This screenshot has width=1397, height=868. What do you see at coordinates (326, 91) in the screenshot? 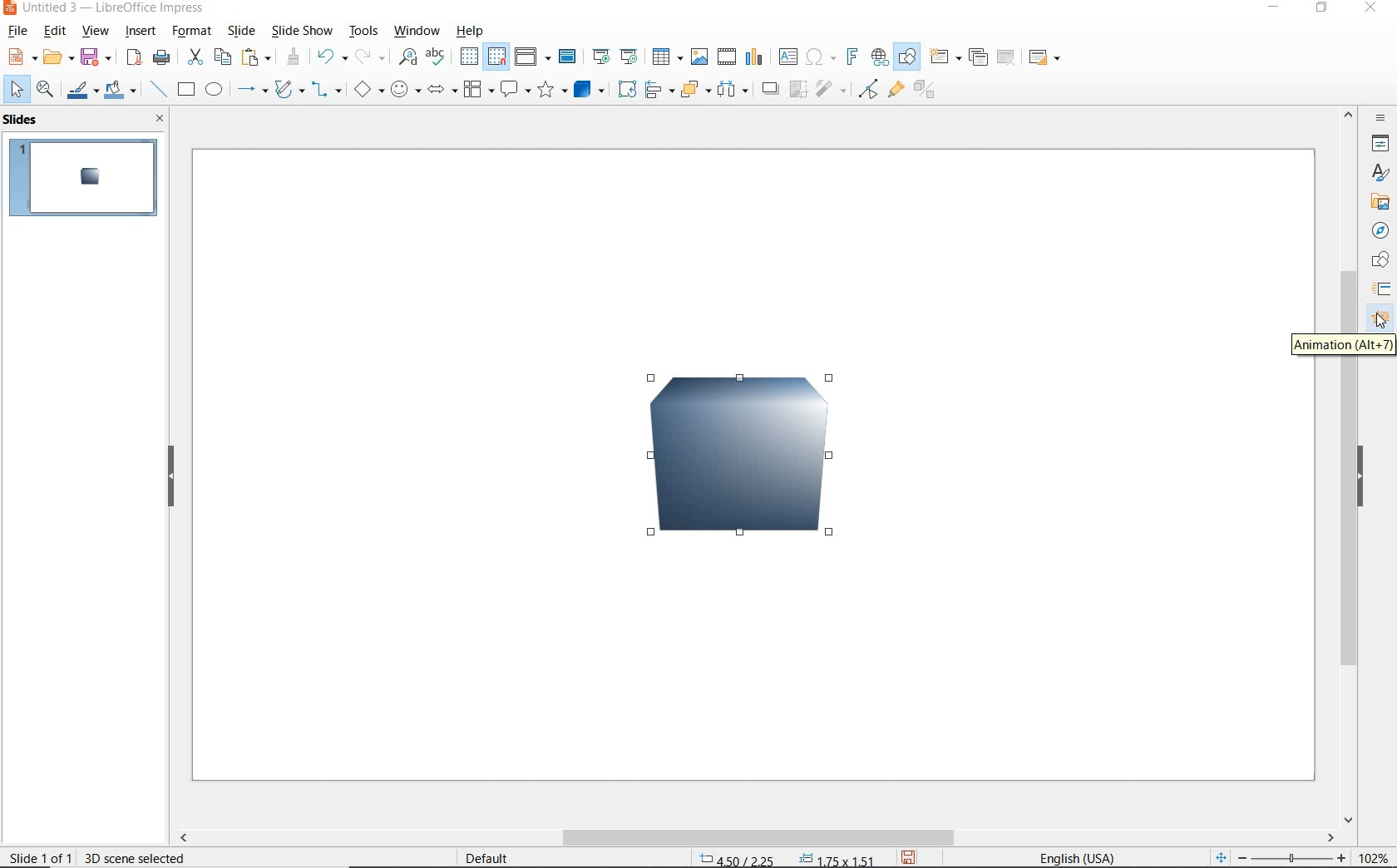
I see `connectors` at bounding box center [326, 91].